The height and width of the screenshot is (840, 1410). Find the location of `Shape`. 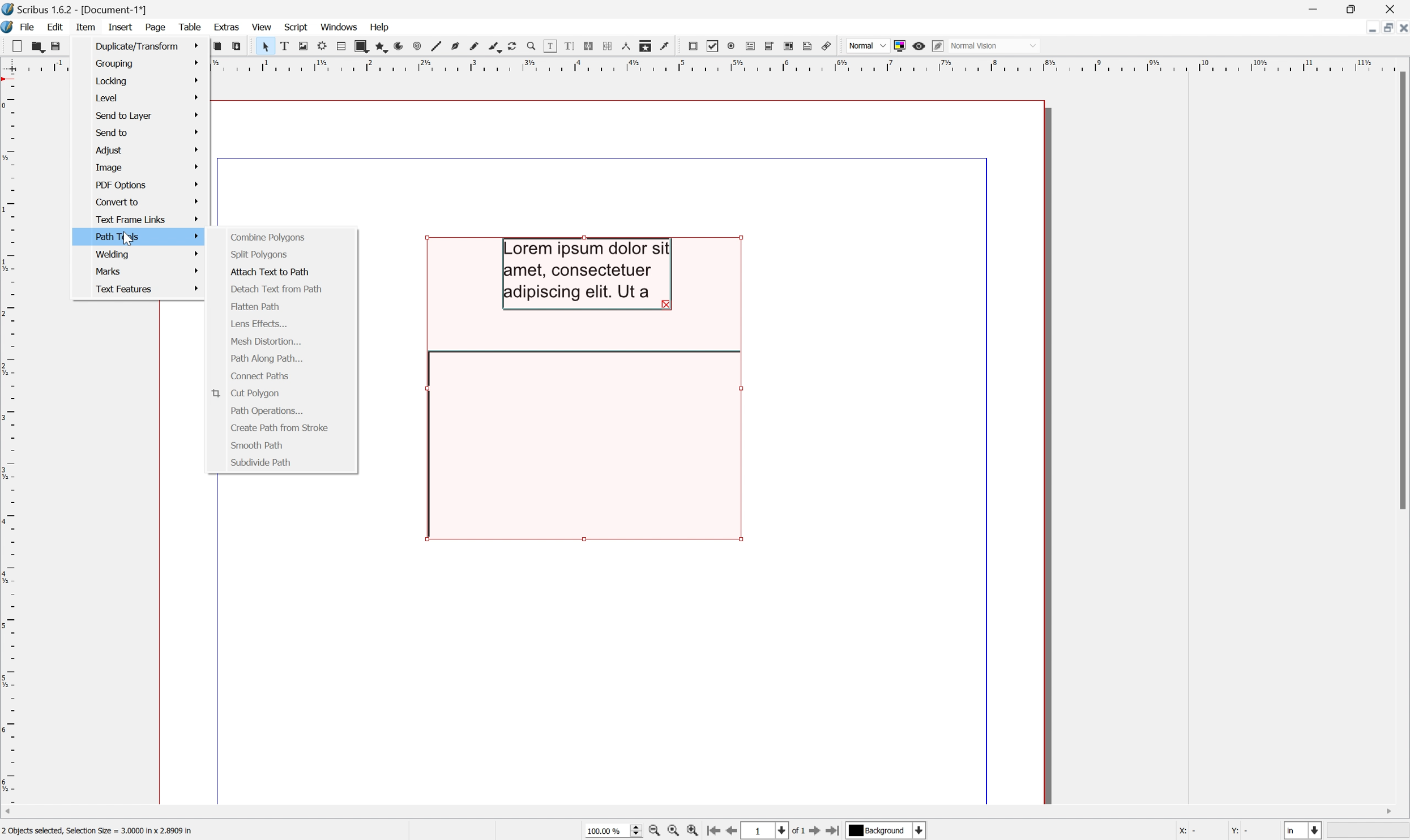

Shape is located at coordinates (361, 44).